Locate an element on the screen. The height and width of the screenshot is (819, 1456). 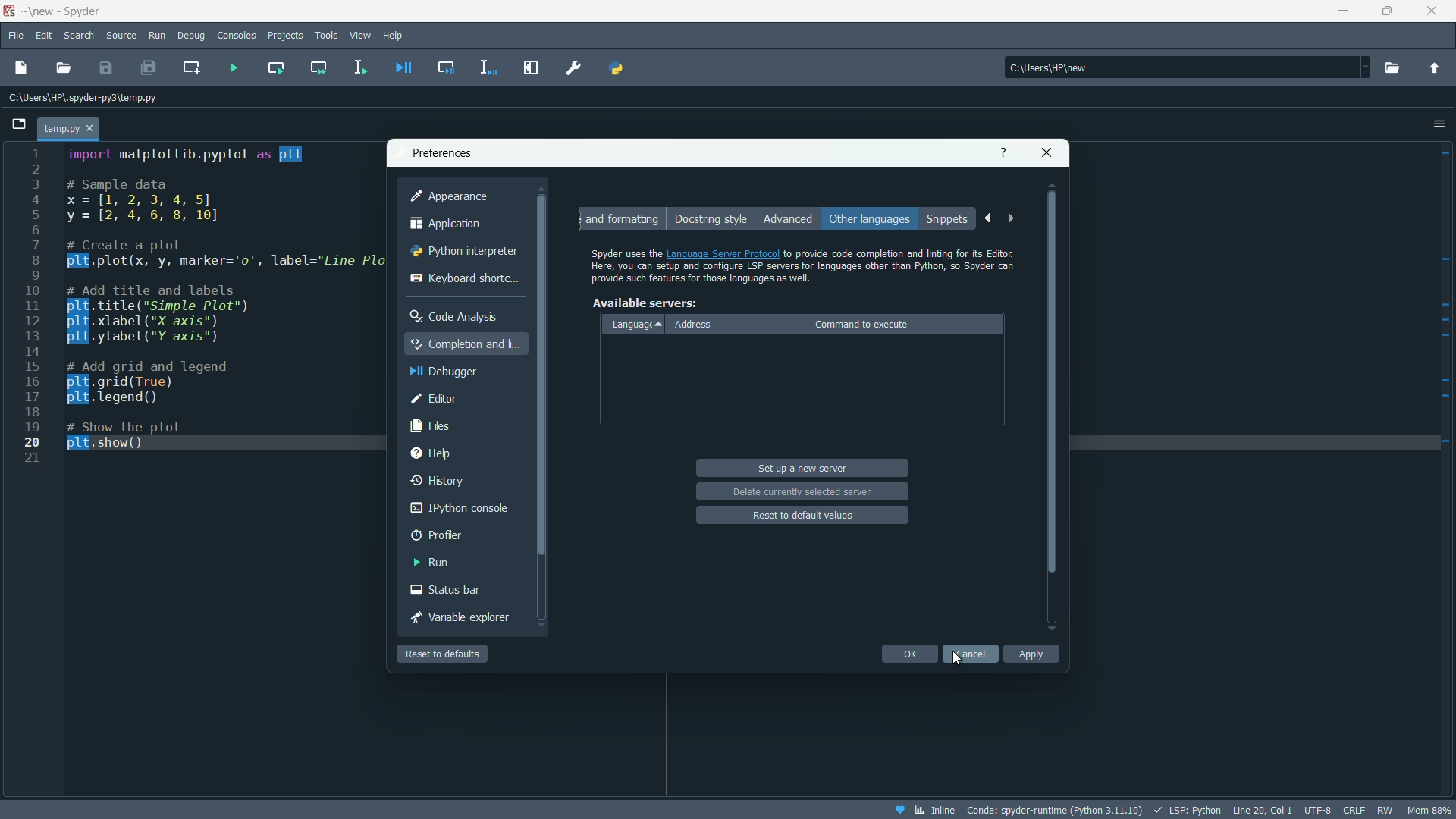
maximize current pane is located at coordinates (532, 67).